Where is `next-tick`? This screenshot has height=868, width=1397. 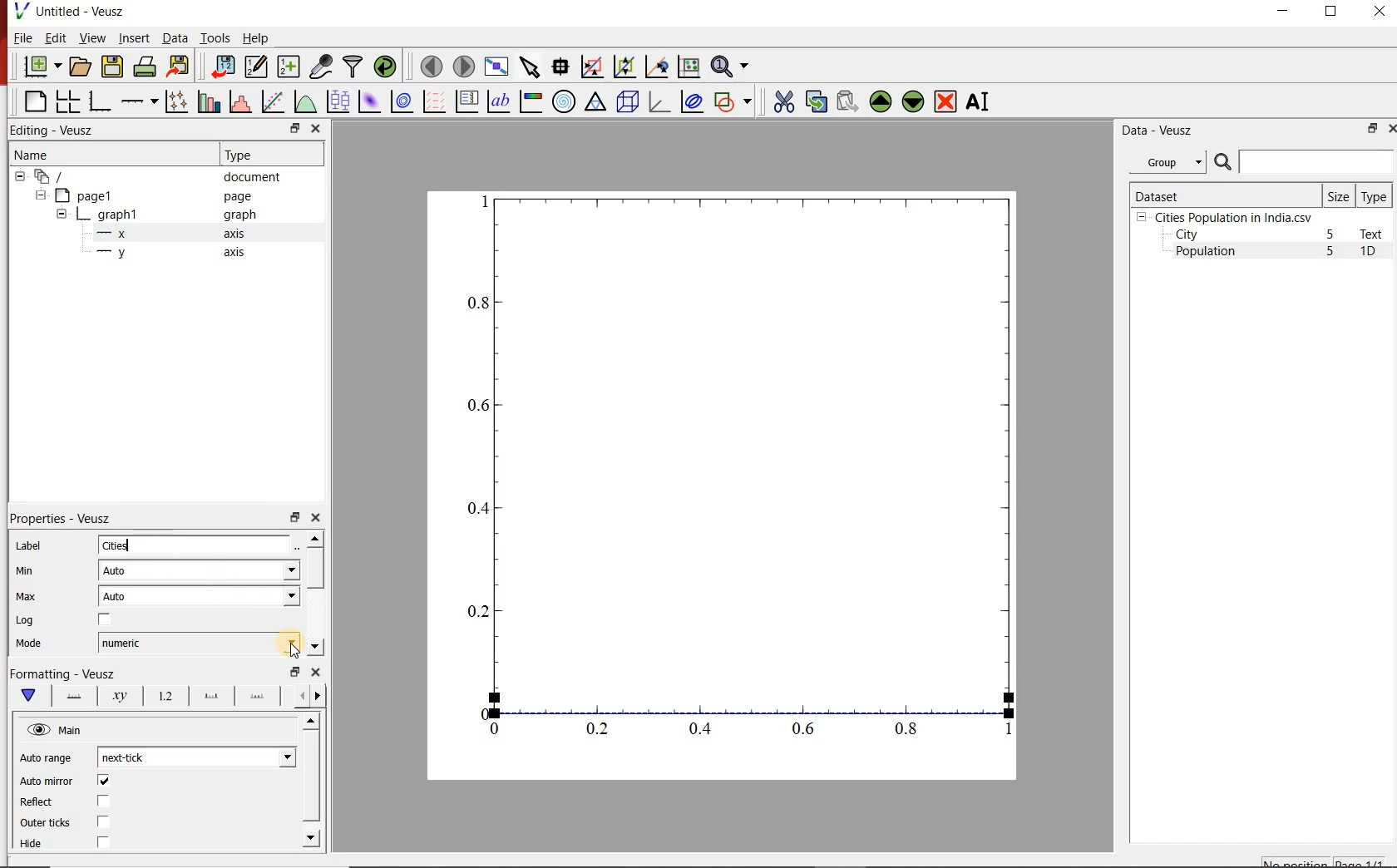 next-tick is located at coordinates (195, 757).